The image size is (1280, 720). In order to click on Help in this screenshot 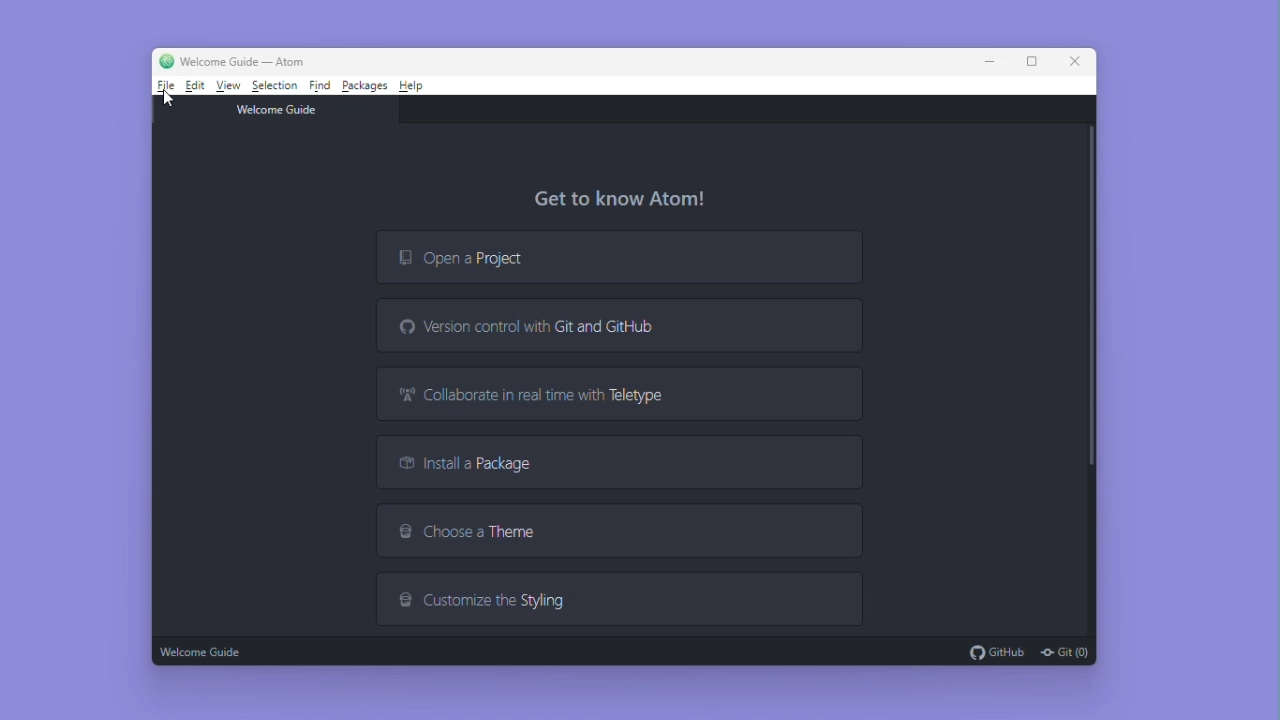, I will do `click(413, 85)`.